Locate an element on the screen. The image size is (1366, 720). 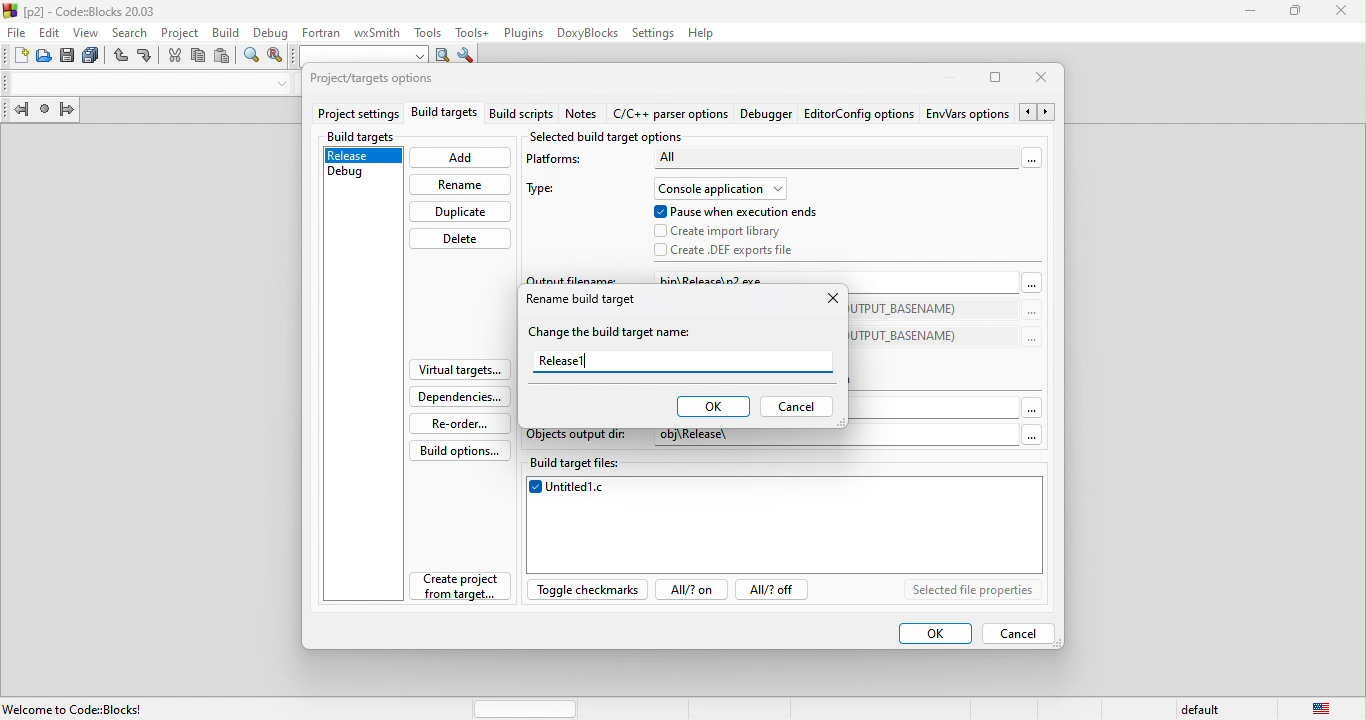
output filename is located at coordinates (572, 278).